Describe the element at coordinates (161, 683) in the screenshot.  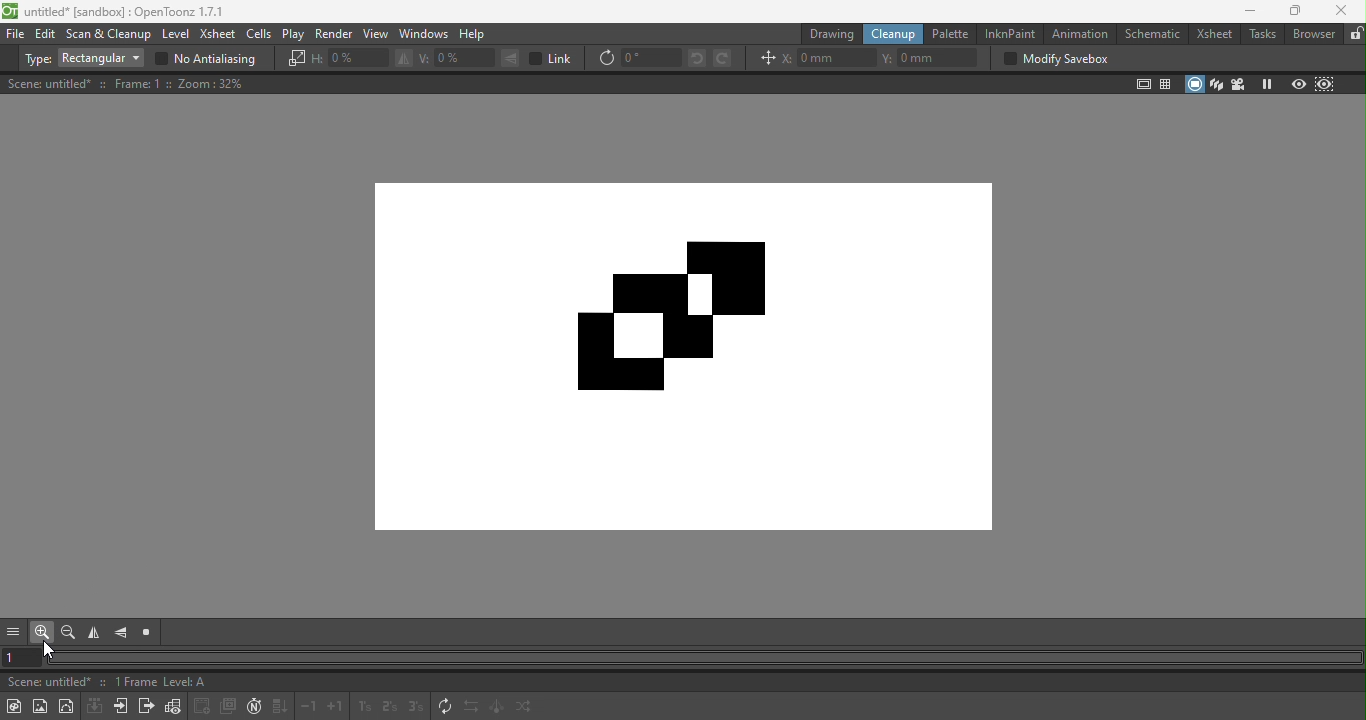
I see `Frame level` at that location.